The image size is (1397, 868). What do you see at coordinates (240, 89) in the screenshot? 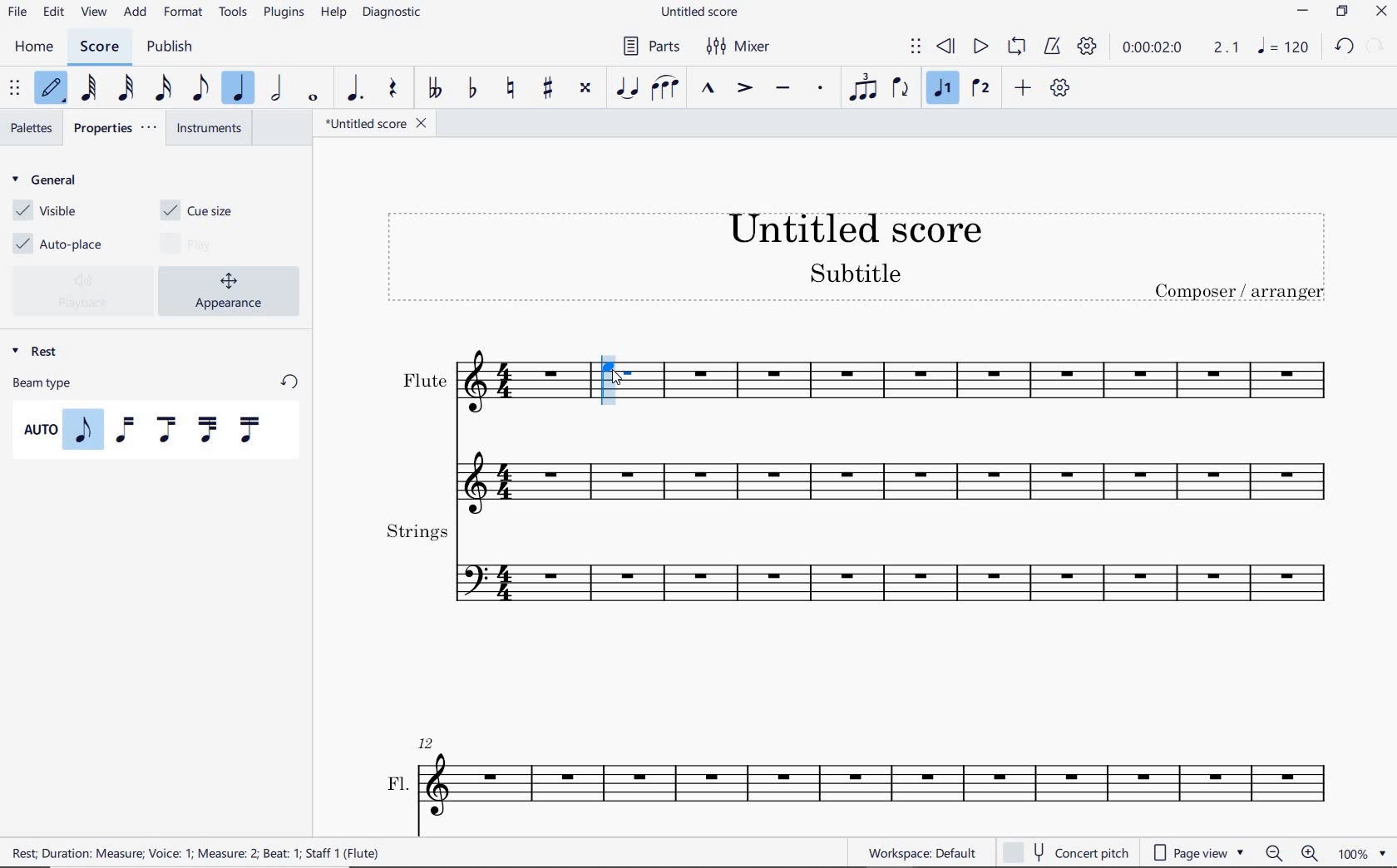
I see `QUARTER NOTE` at bounding box center [240, 89].